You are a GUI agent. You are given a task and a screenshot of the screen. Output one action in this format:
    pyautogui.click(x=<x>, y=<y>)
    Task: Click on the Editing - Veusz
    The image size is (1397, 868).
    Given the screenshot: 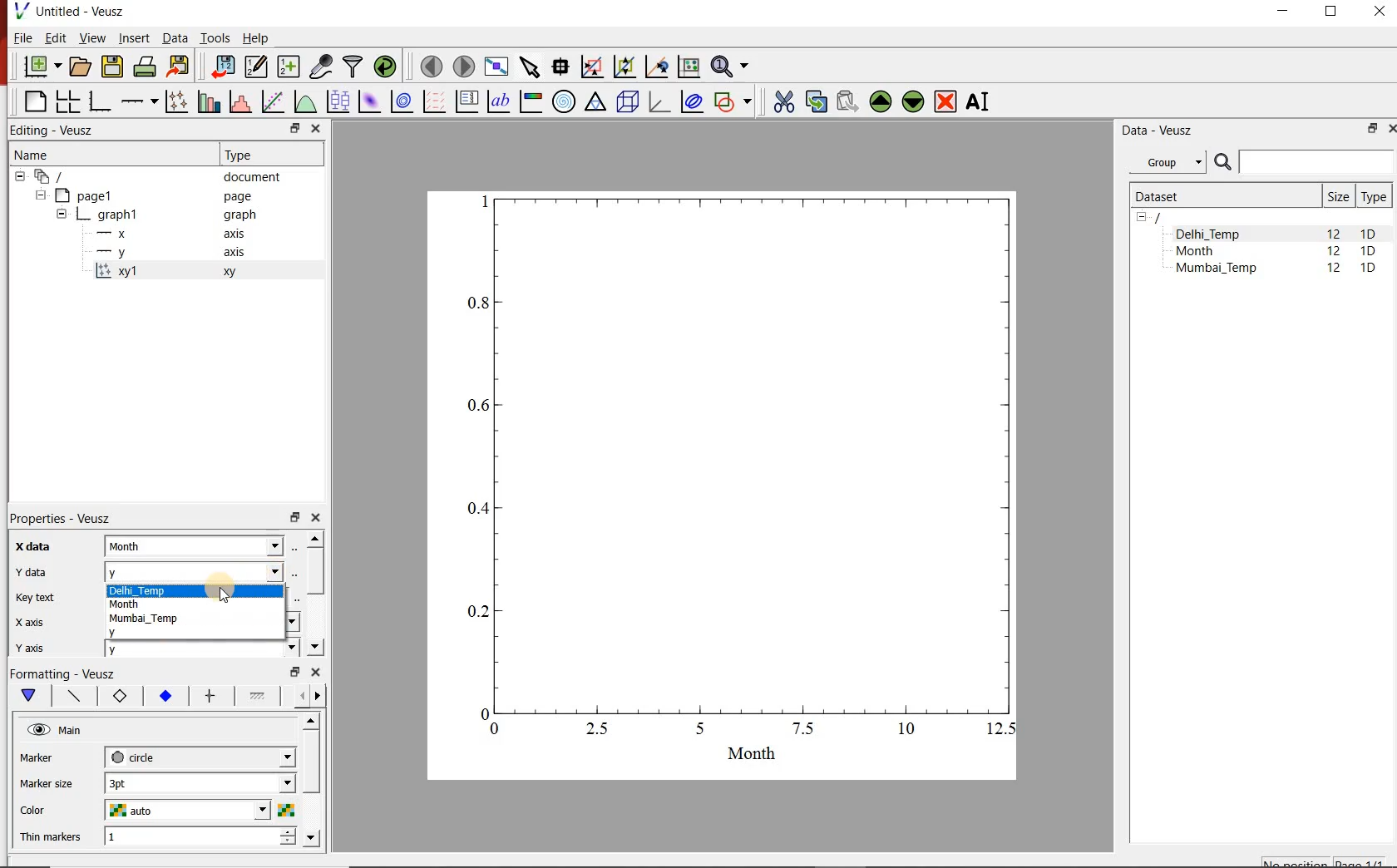 What is the action you would take?
    pyautogui.click(x=62, y=129)
    